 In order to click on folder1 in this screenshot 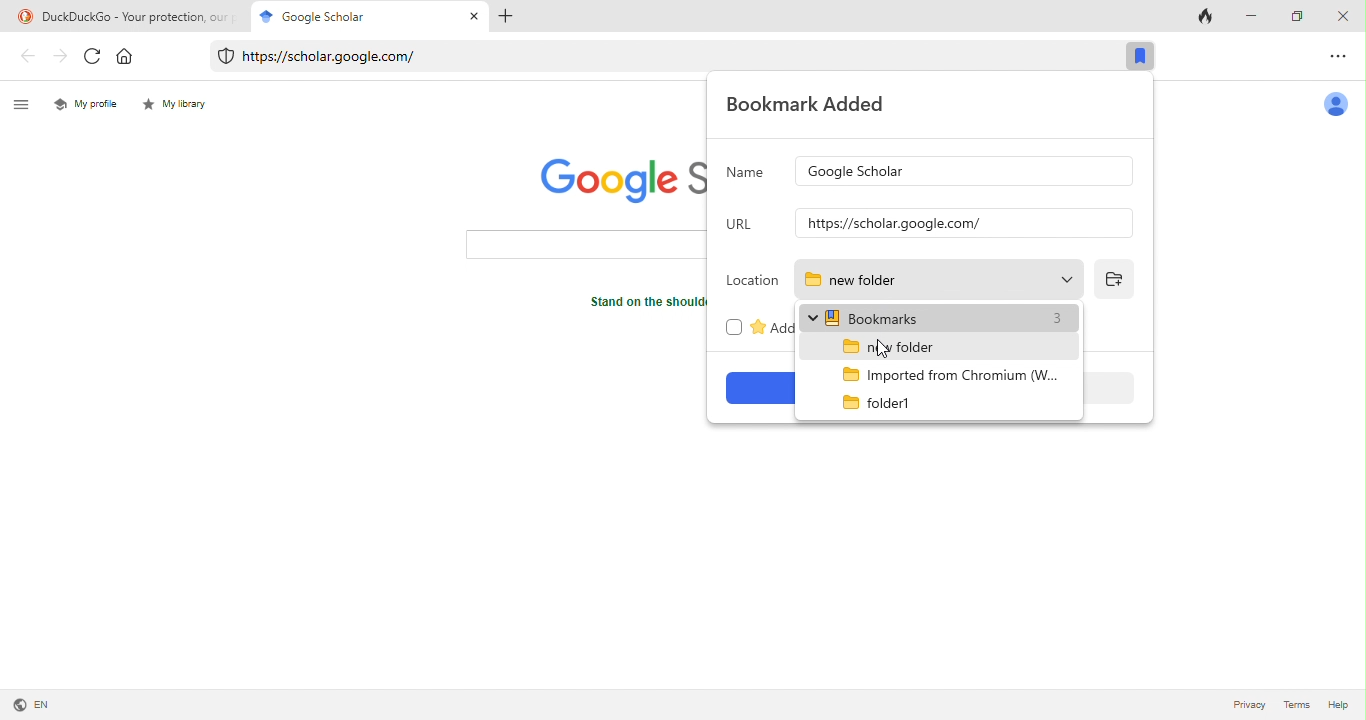, I will do `click(888, 401)`.